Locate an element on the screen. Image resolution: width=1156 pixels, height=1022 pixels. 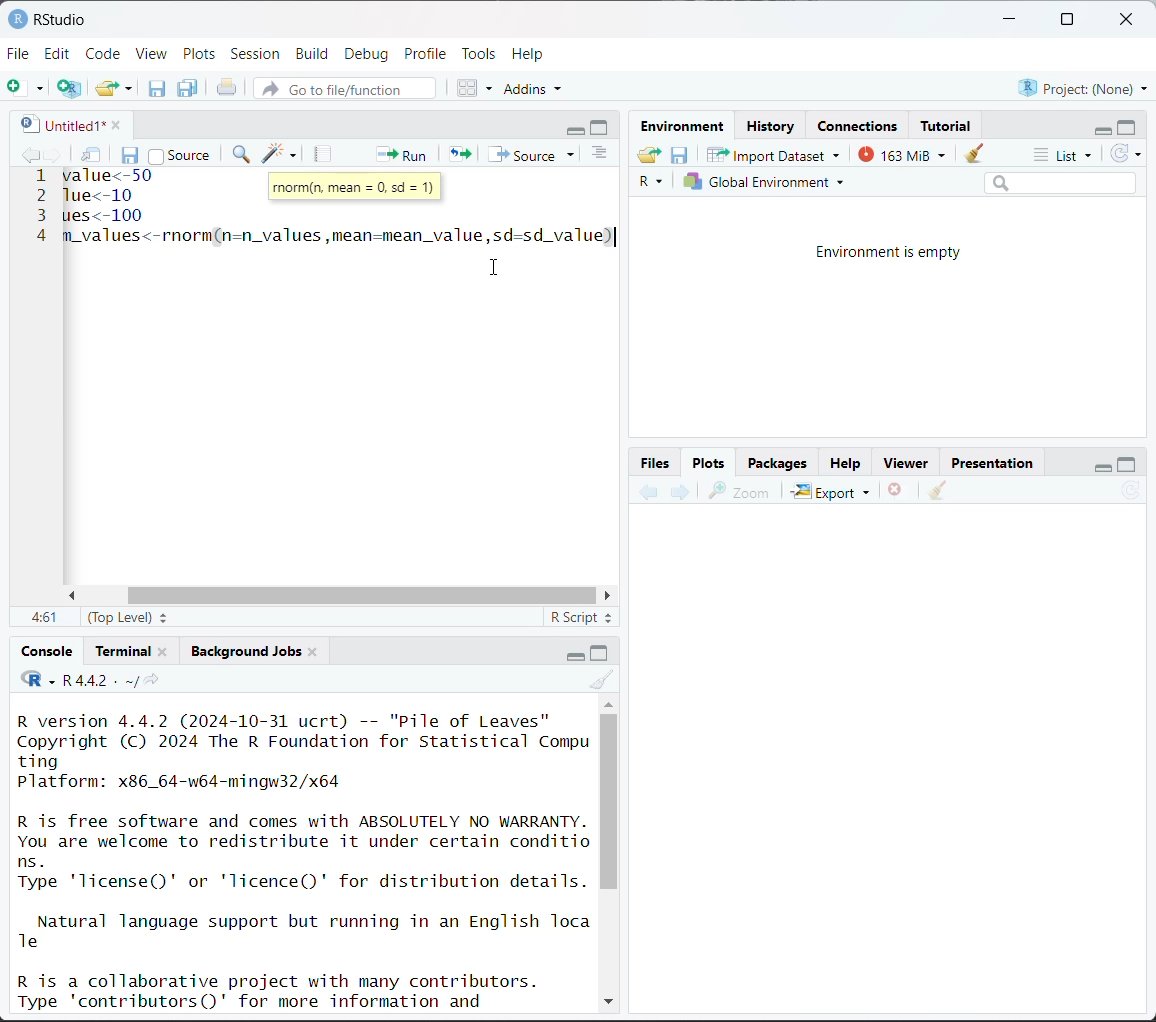
refresh the list is located at coordinates (1126, 154).